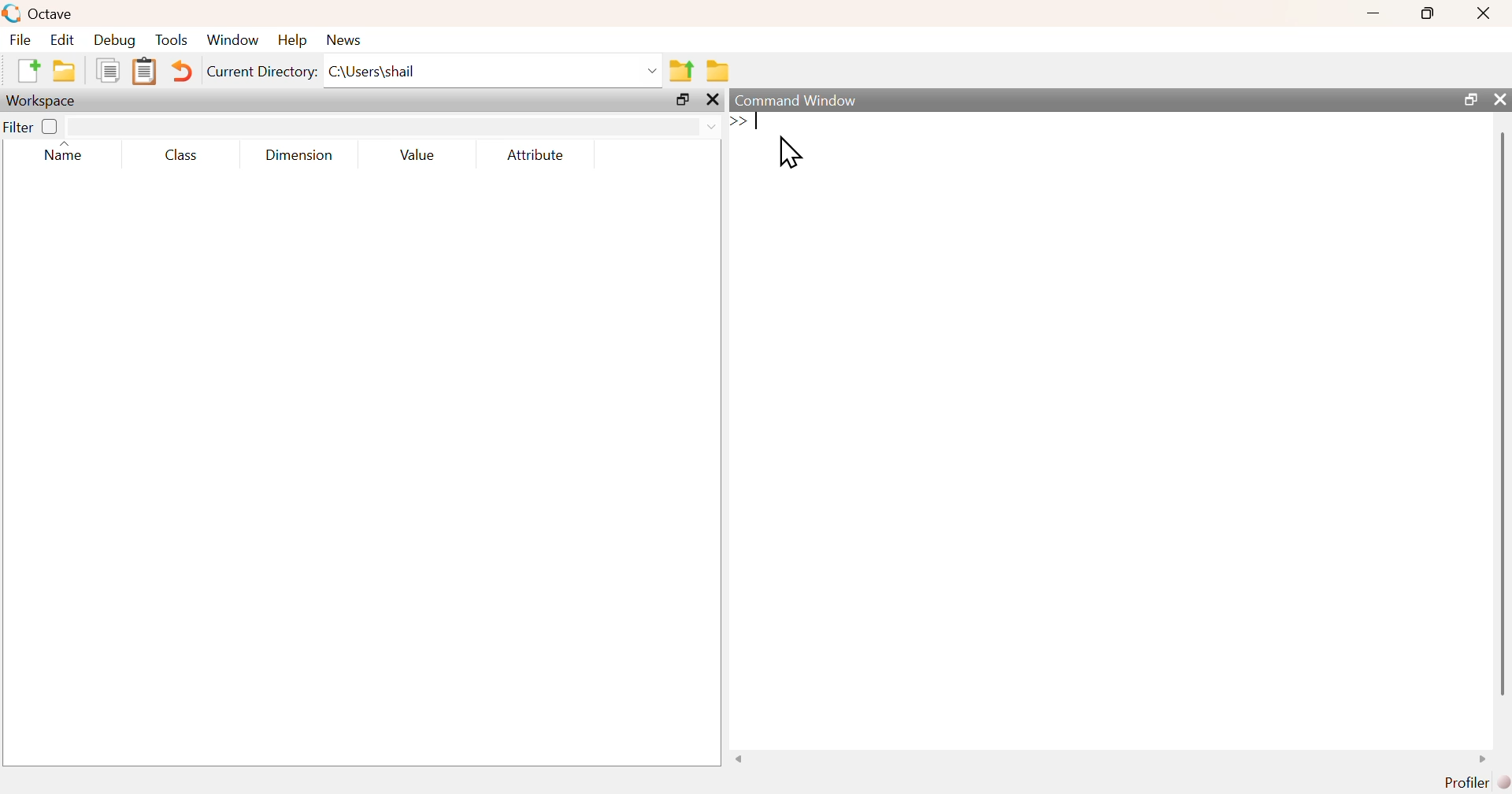  What do you see at coordinates (65, 71) in the screenshot?
I see `New Folder` at bounding box center [65, 71].